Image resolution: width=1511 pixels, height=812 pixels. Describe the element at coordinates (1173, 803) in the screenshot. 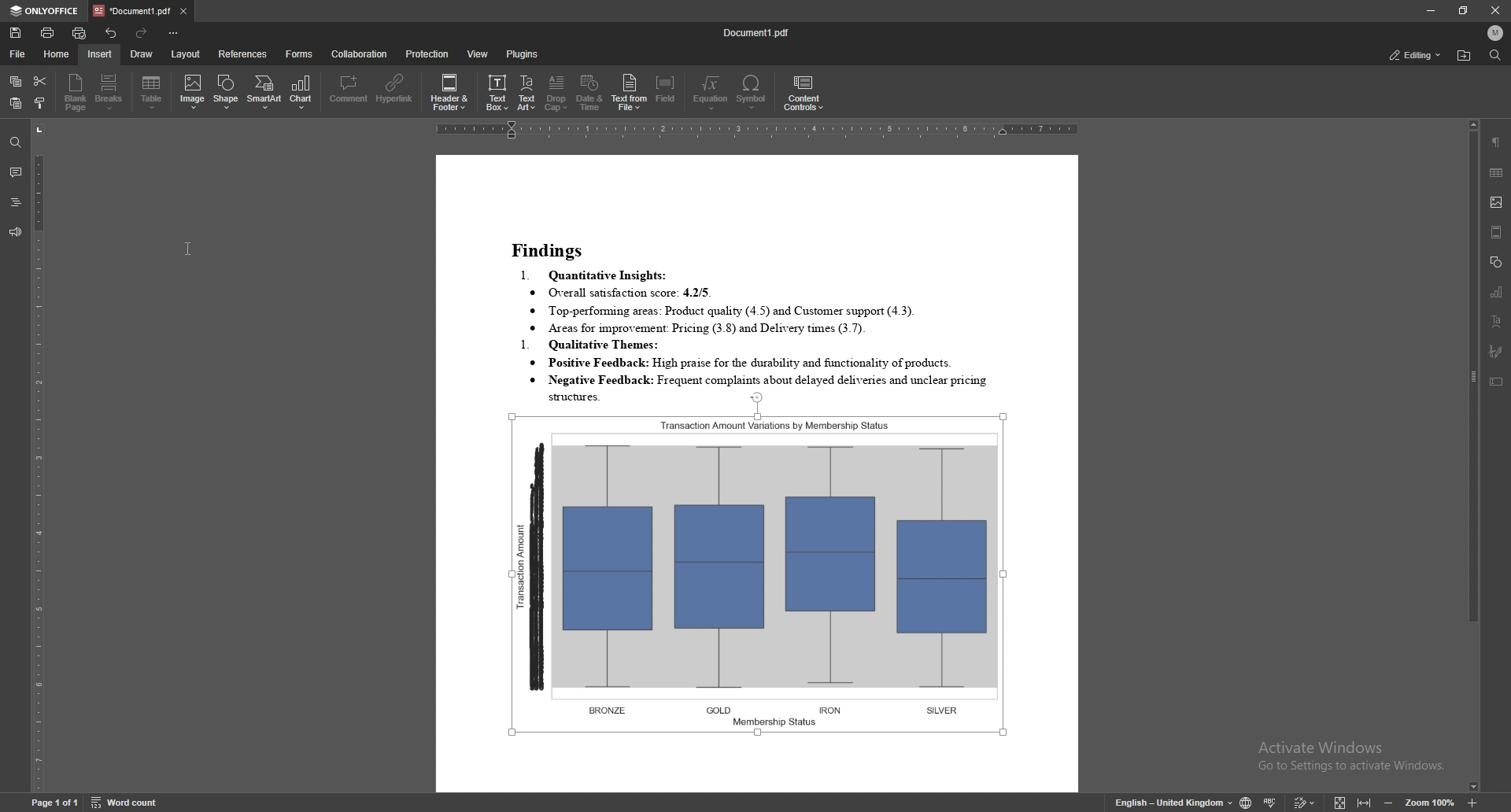

I see `change text language` at that location.